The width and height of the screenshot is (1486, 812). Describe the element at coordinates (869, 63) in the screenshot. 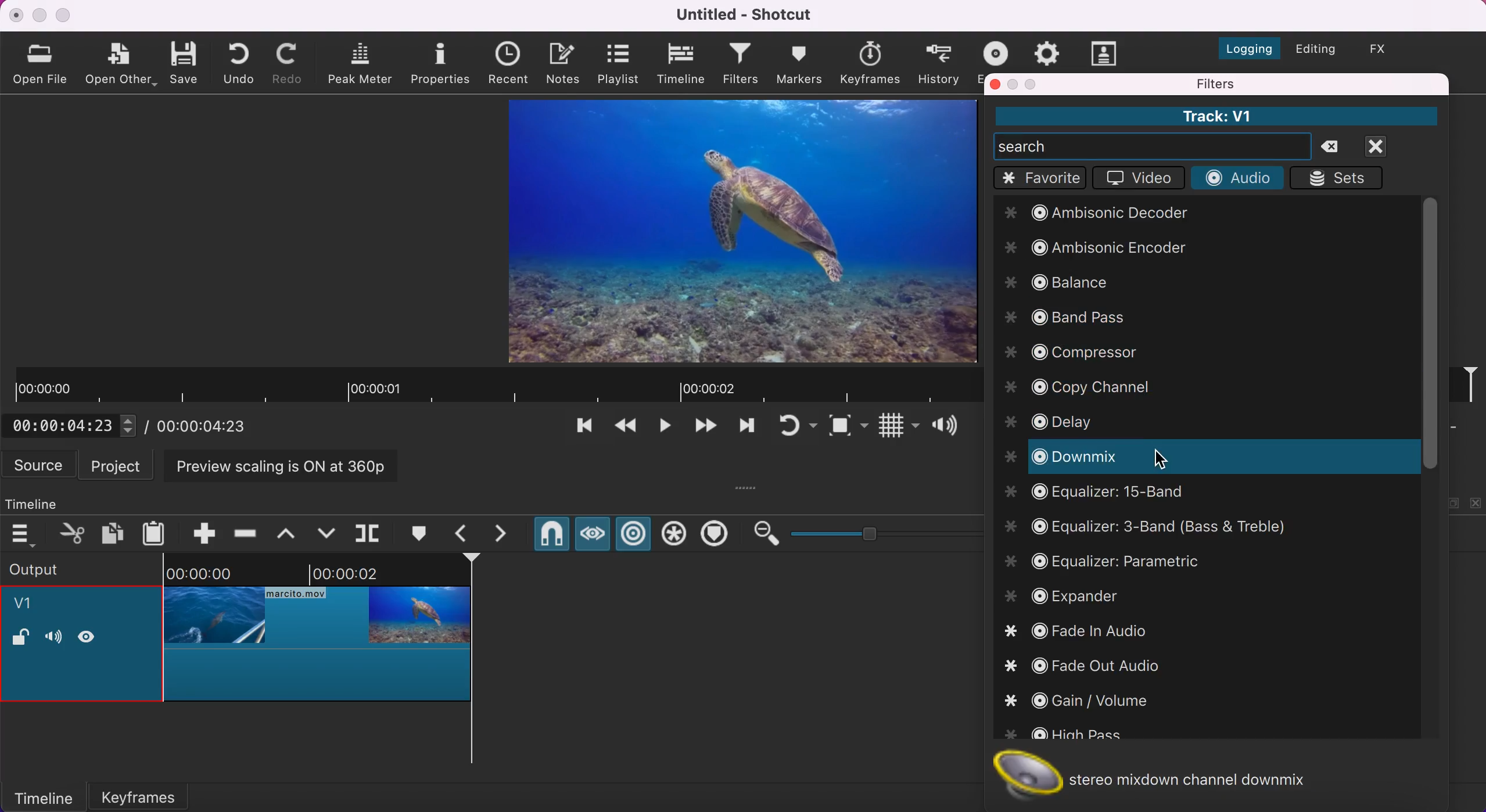

I see `keyframes` at that location.